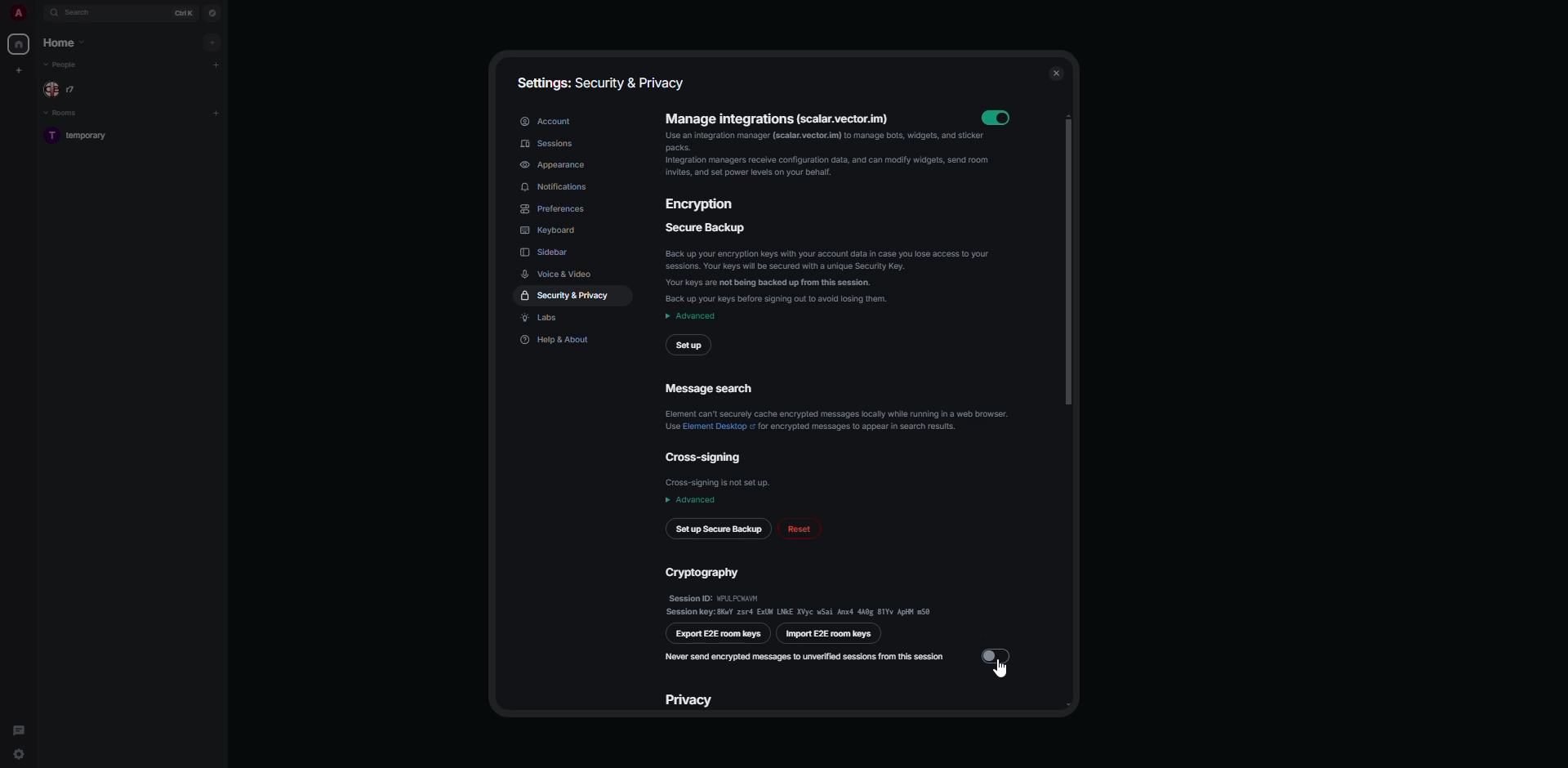 Image resolution: width=1568 pixels, height=768 pixels. What do you see at coordinates (37, 14) in the screenshot?
I see `expand` at bounding box center [37, 14].